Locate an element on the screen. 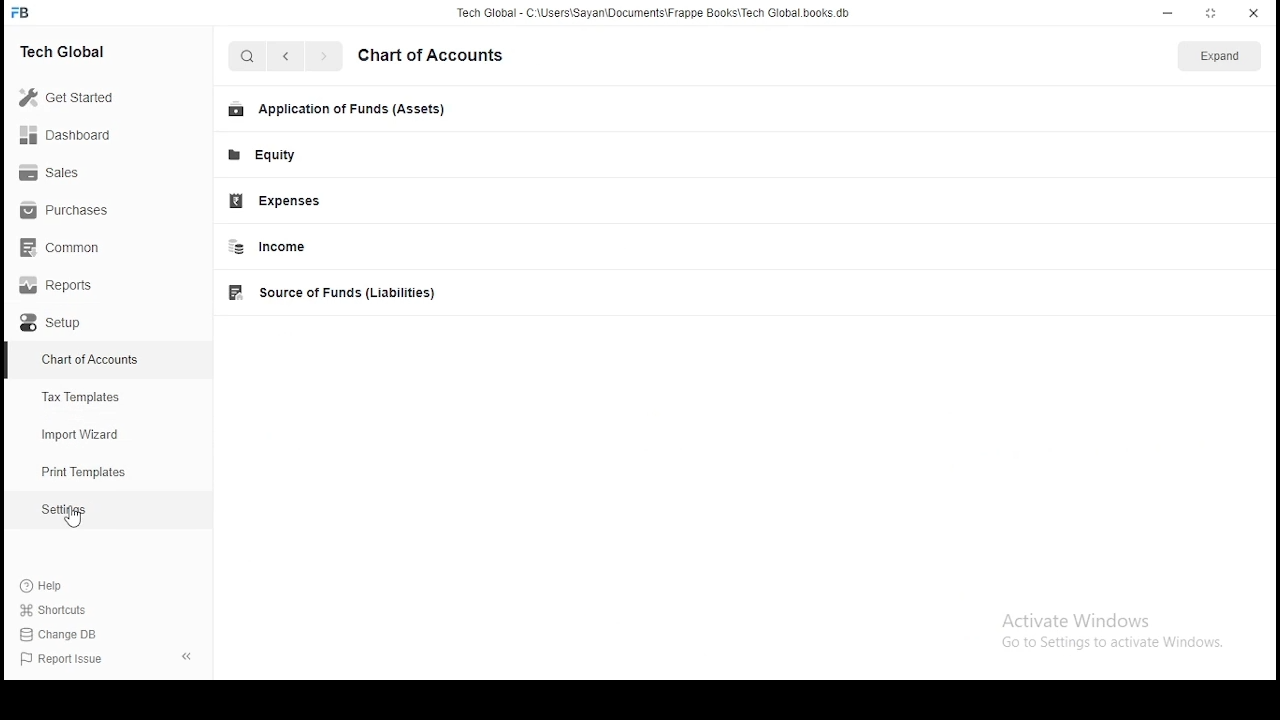 This screenshot has height=720, width=1280. hide sidebar is located at coordinates (187, 656).